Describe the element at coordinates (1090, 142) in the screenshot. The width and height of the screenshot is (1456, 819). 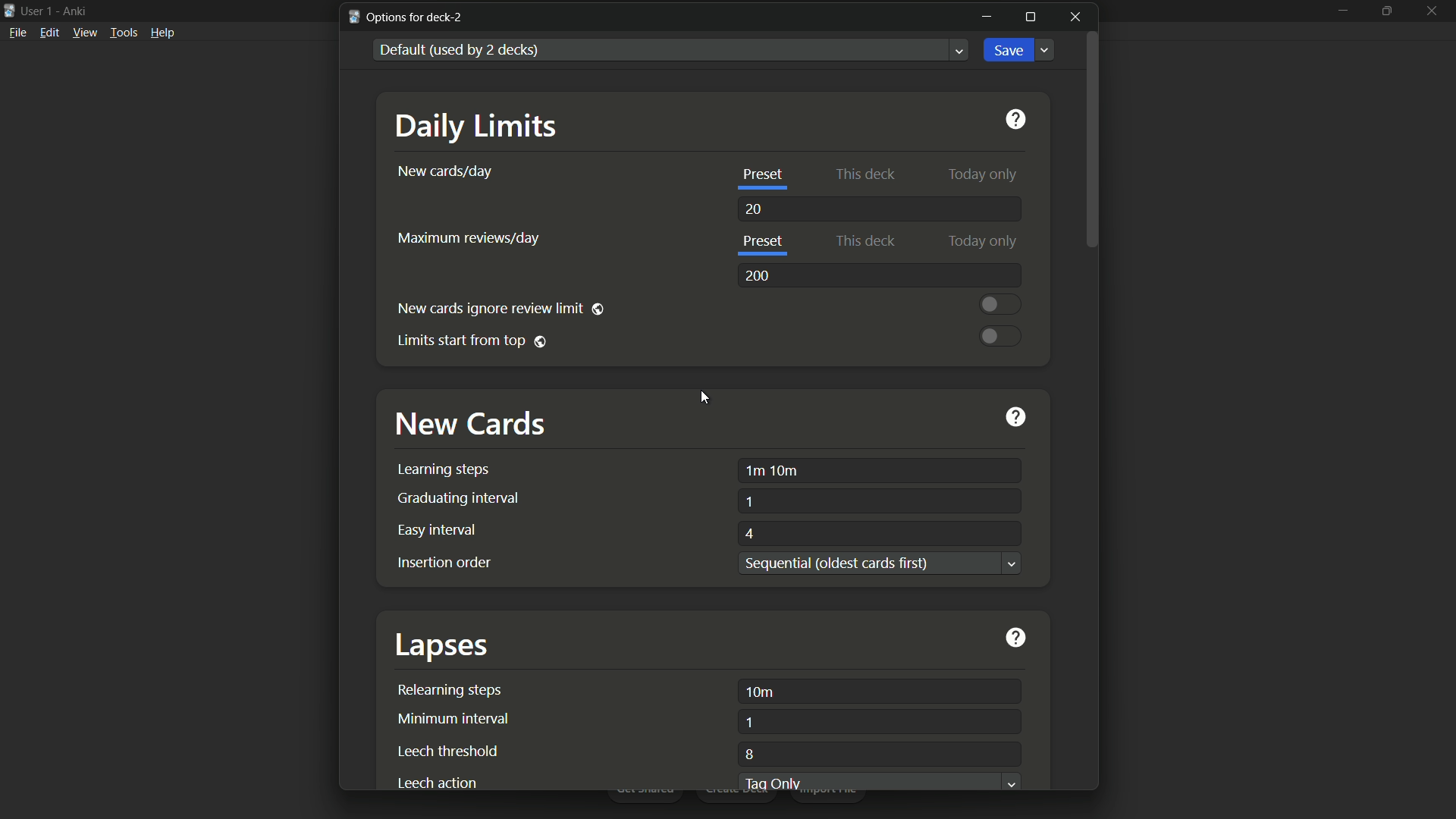
I see `scroll bar` at that location.